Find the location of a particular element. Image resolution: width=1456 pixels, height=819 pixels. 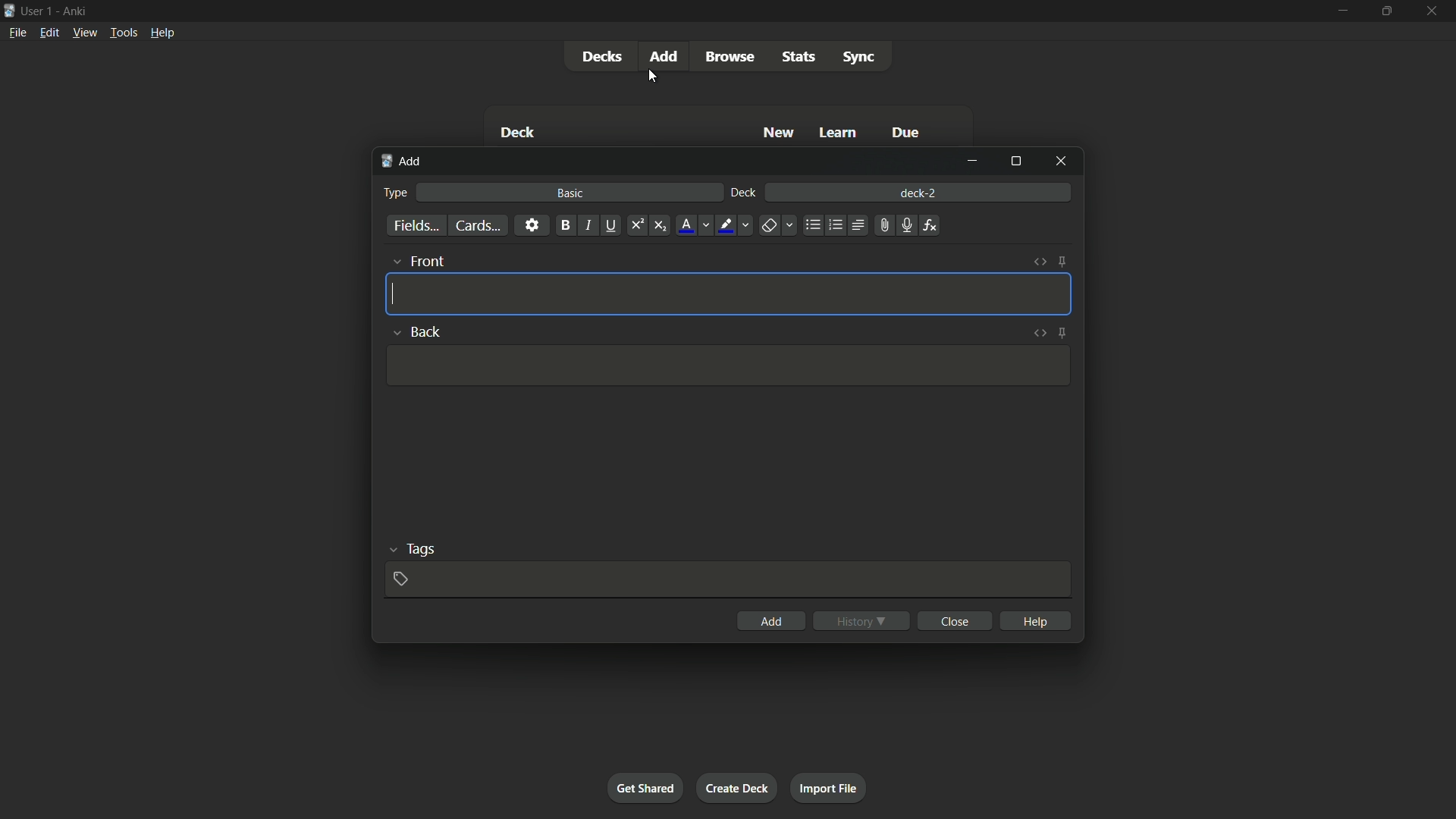

toggle html editor is located at coordinates (1040, 331).